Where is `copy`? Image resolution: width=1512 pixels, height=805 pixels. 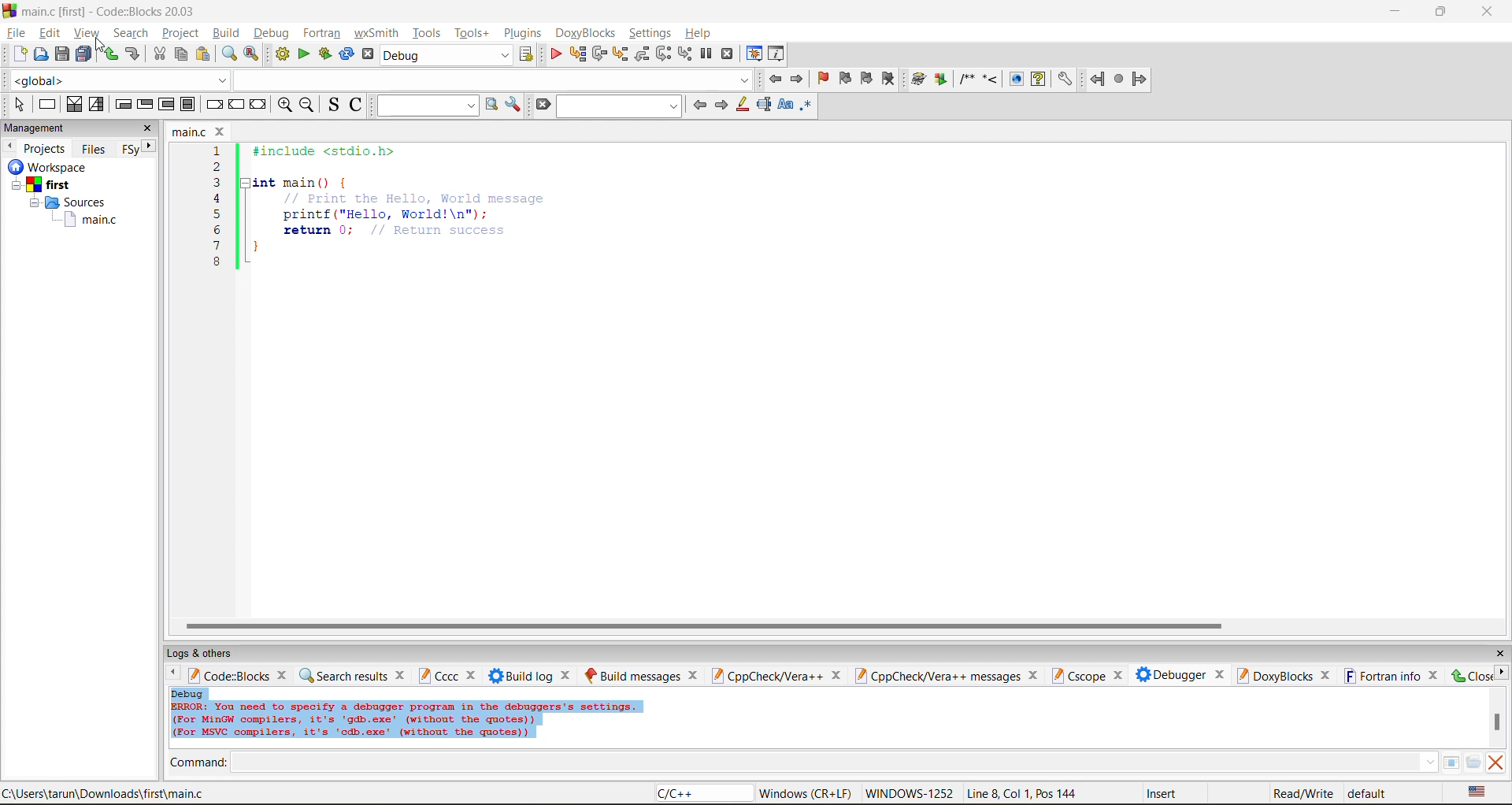 copy is located at coordinates (182, 55).